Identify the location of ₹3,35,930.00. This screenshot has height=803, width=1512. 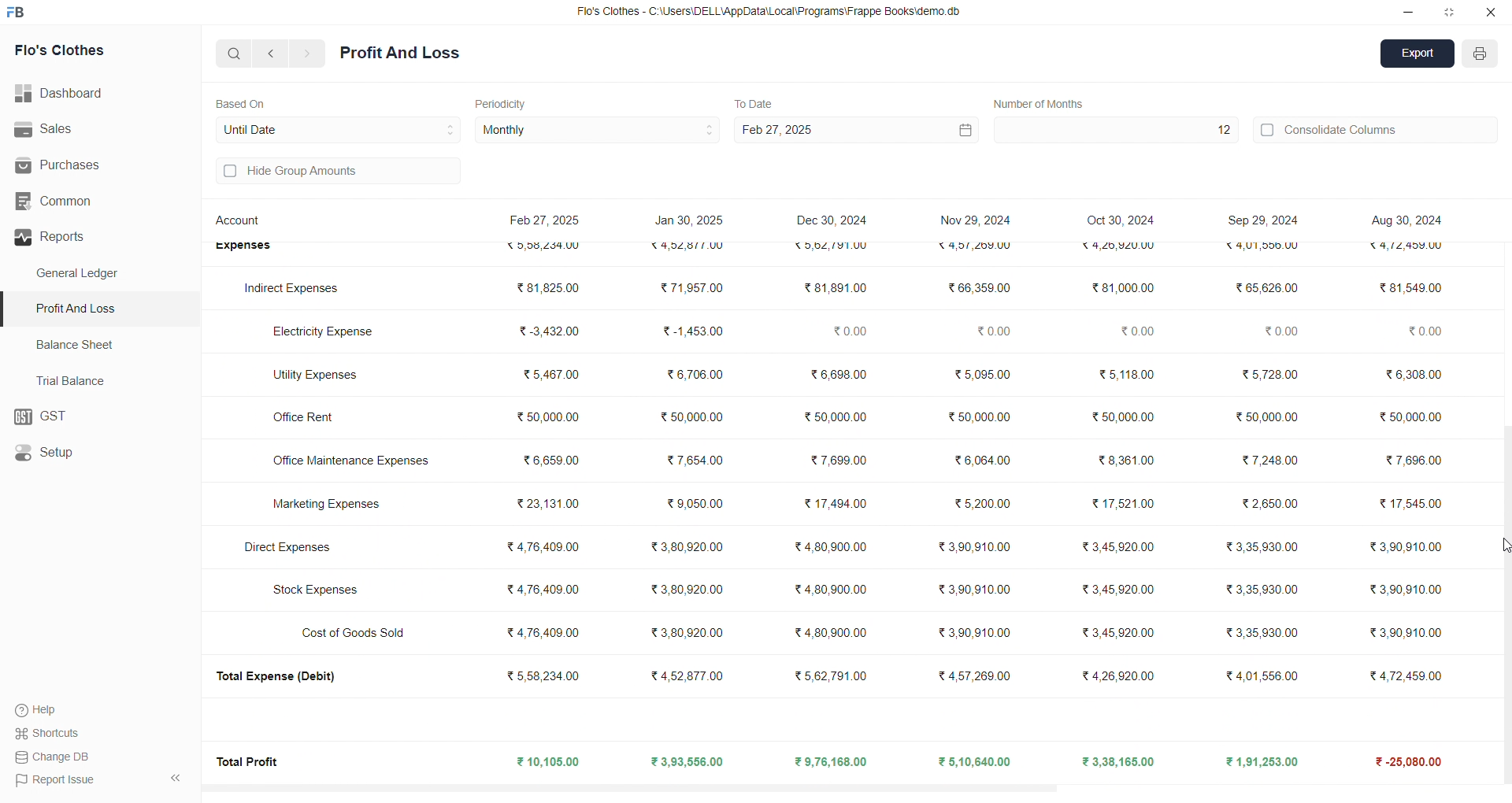
(1256, 589).